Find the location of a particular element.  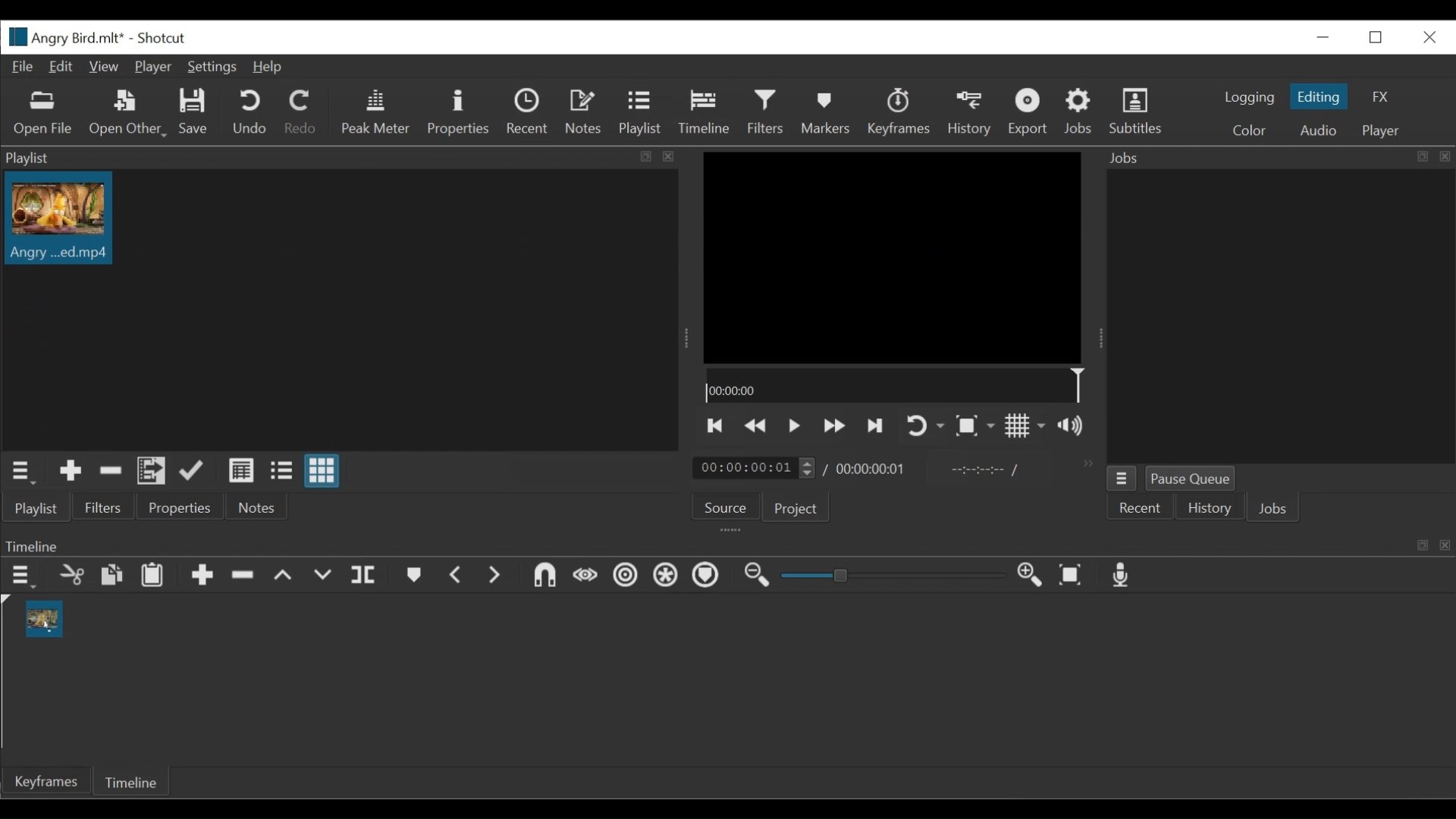

Zoom timeline in is located at coordinates (1031, 575).